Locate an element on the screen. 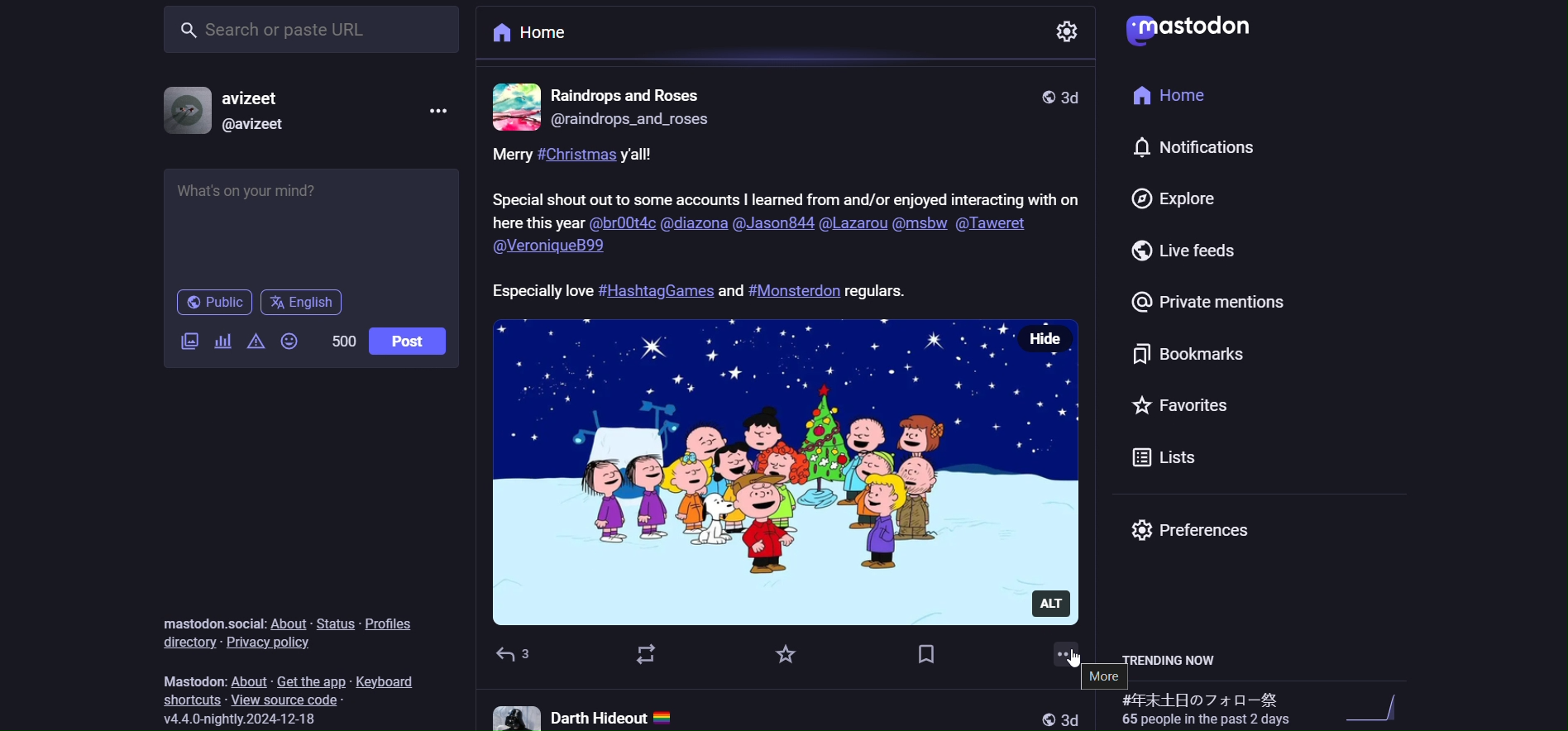 The width and height of the screenshot is (1568, 731). more is located at coordinates (1106, 678).